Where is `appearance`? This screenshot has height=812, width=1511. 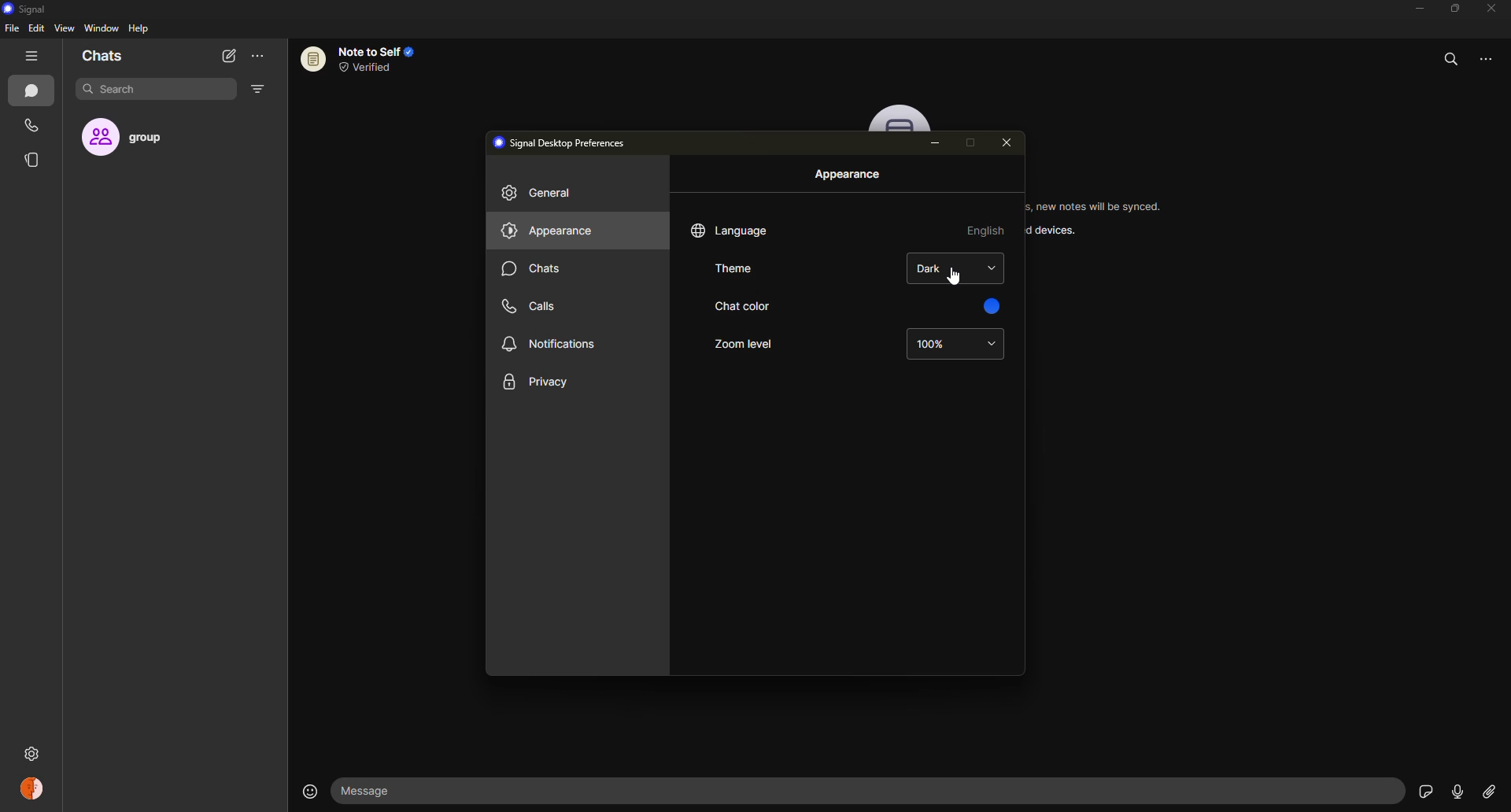
appearance is located at coordinates (549, 231).